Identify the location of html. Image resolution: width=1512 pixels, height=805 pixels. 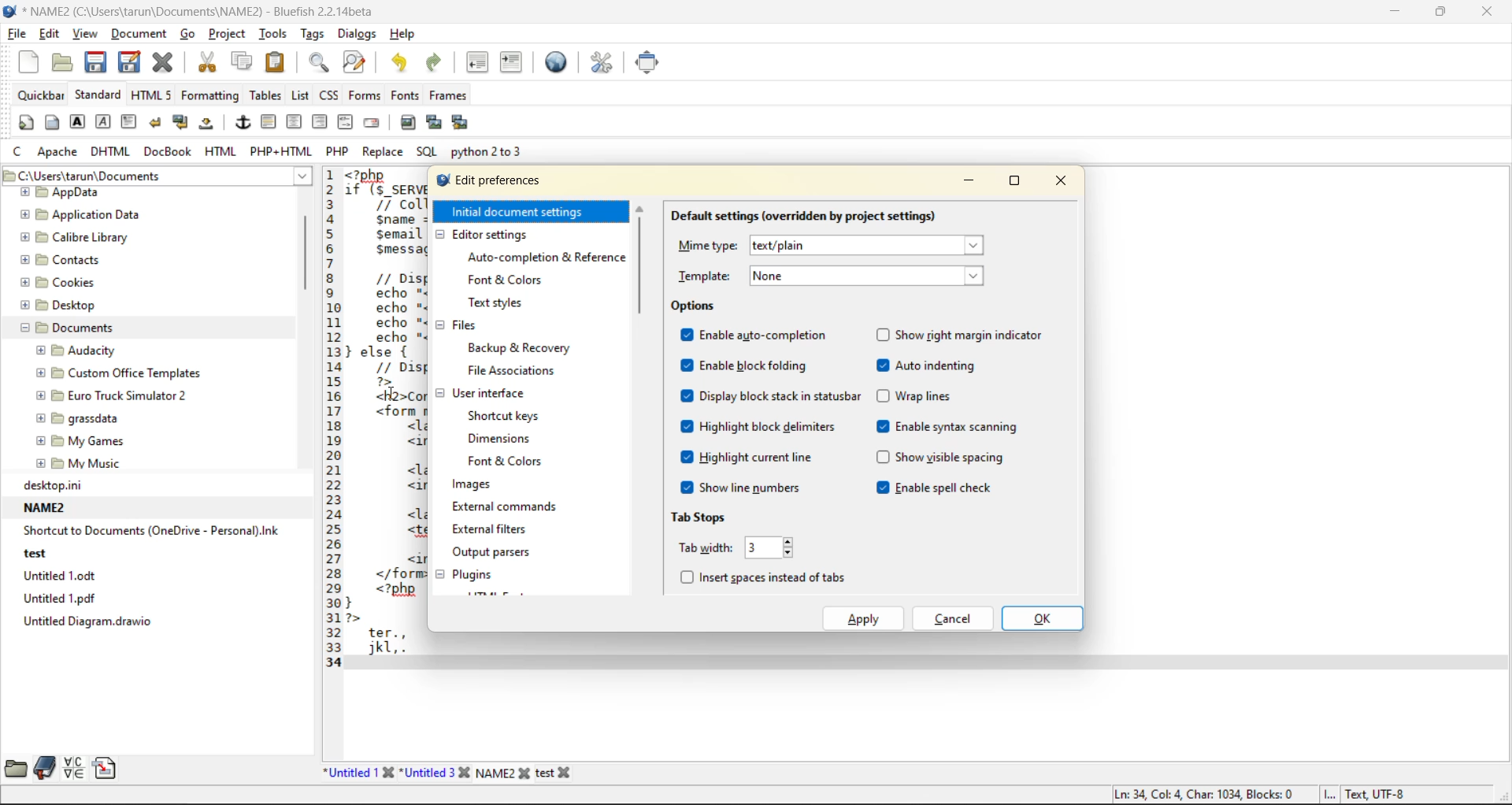
(220, 152).